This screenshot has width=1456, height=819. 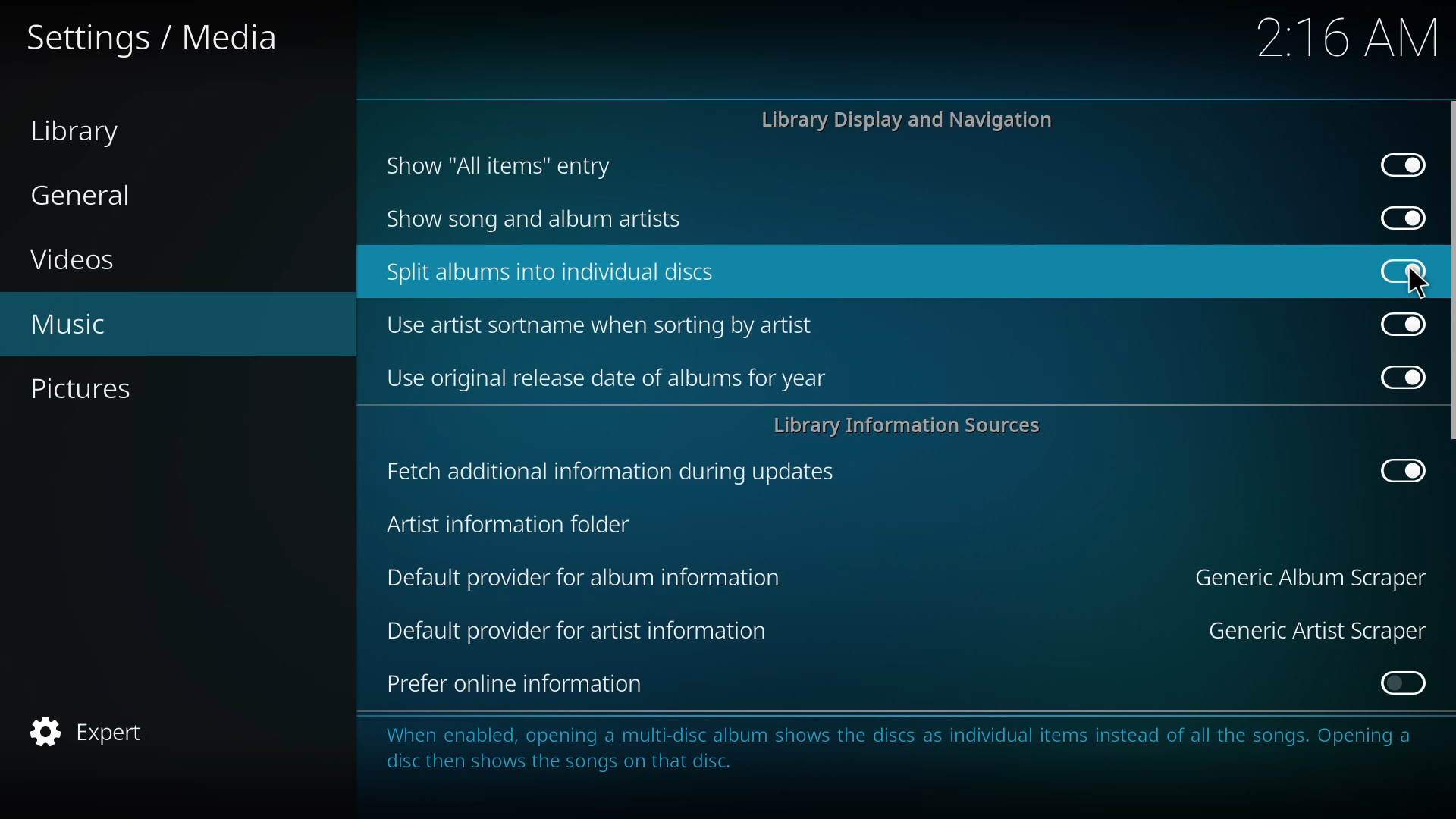 I want to click on use original release date of albums, so click(x=607, y=377).